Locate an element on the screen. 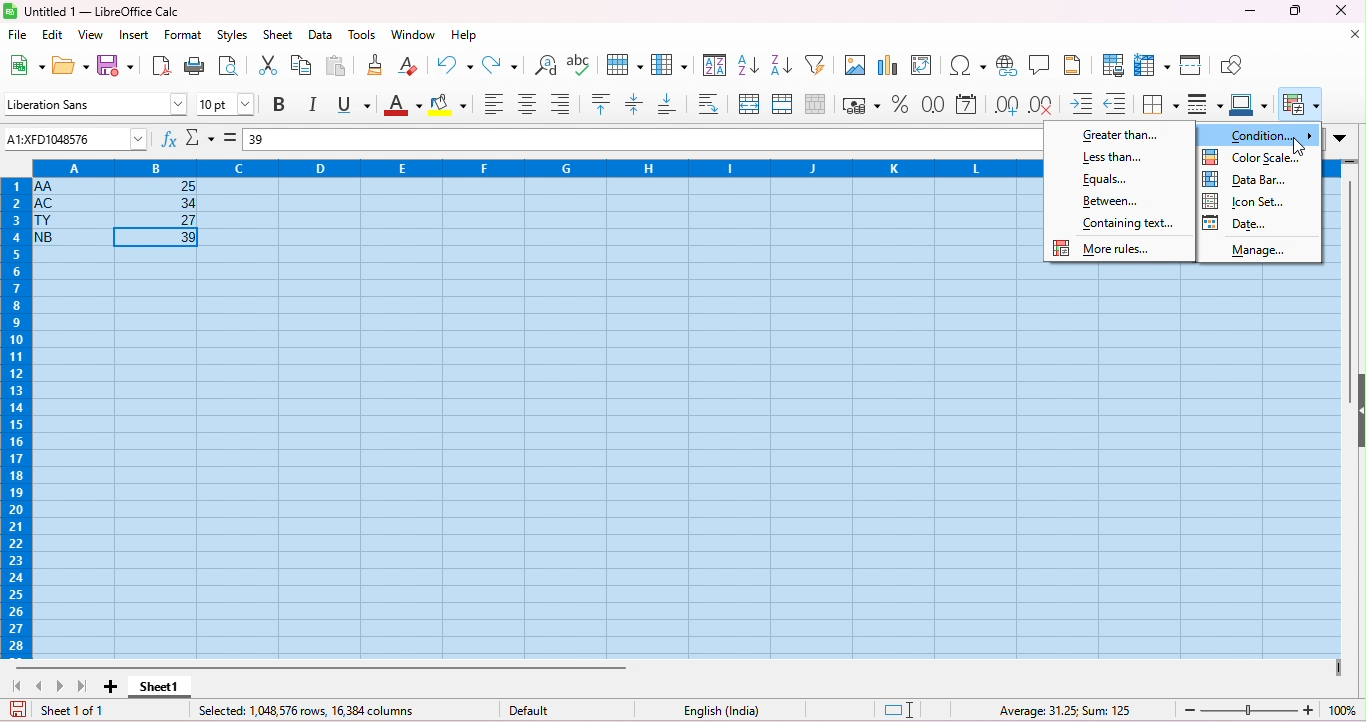 The height and width of the screenshot is (722, 1366). styles is located at coordinates (236, 37).